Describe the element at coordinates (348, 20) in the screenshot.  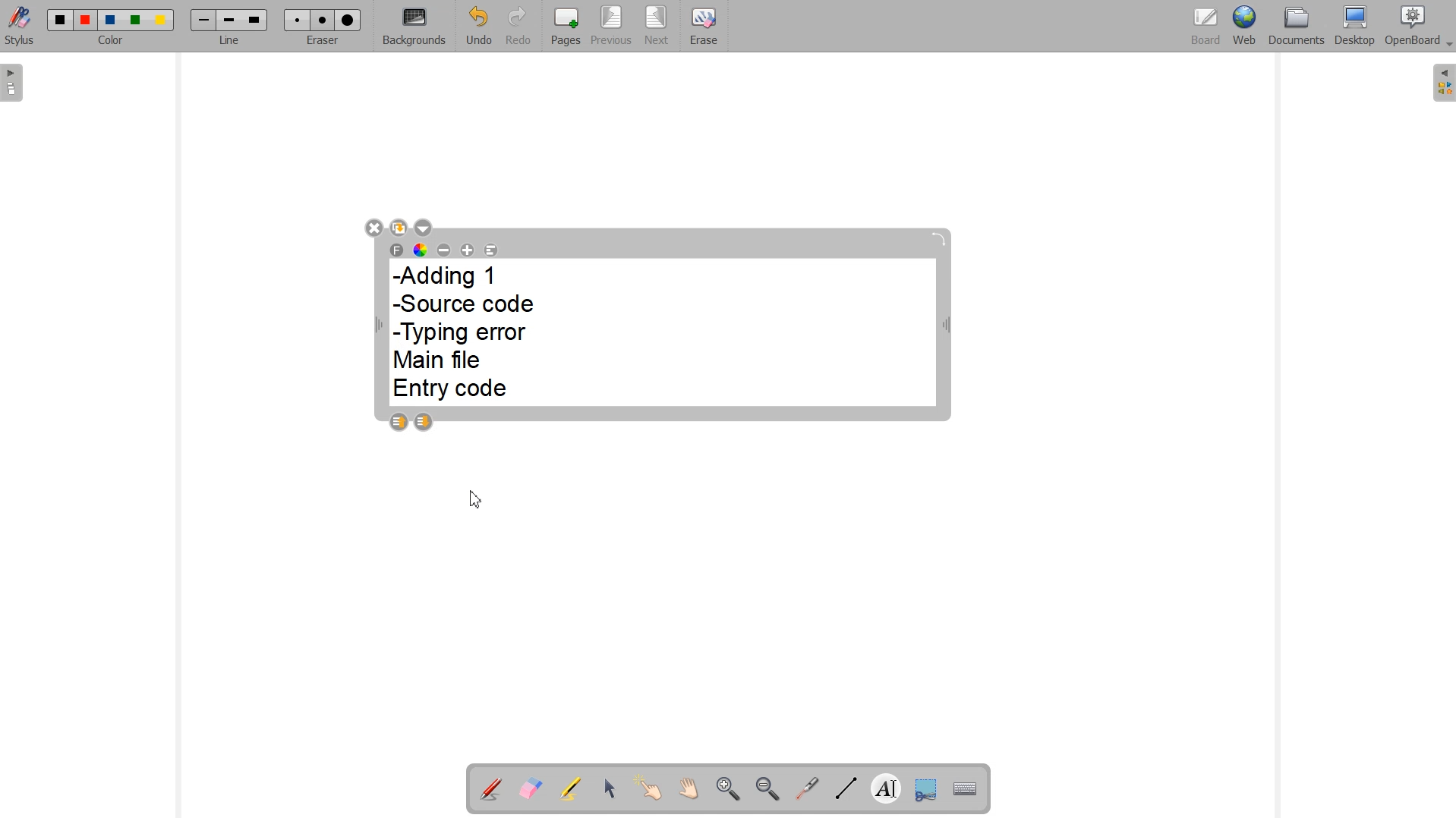
I see `Large eraser` at that location.